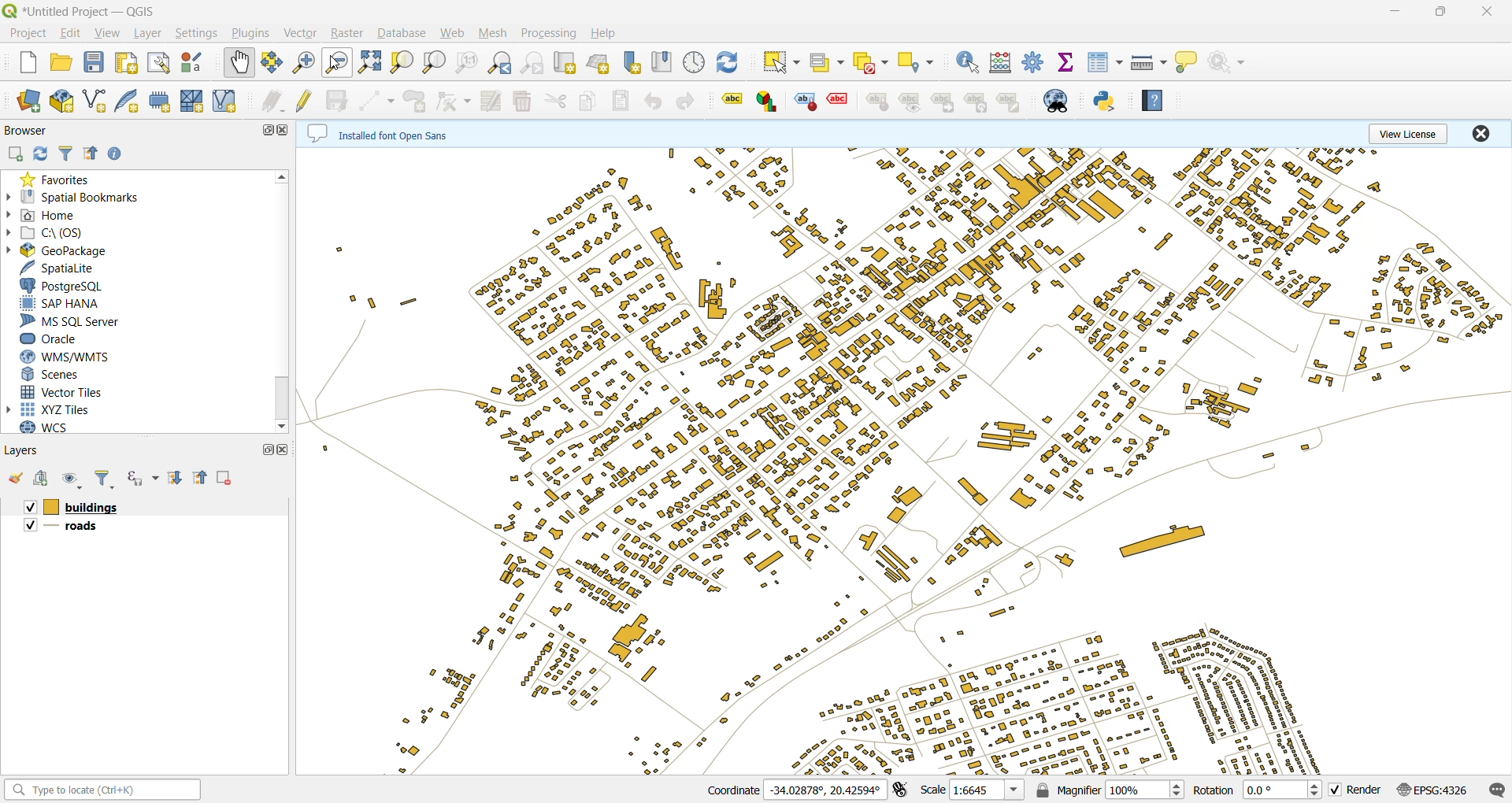 This screenshot has width=1512, height=803. Describe the element at coordinates (728, 61) in the screenshot. I see `refresh` at that location.